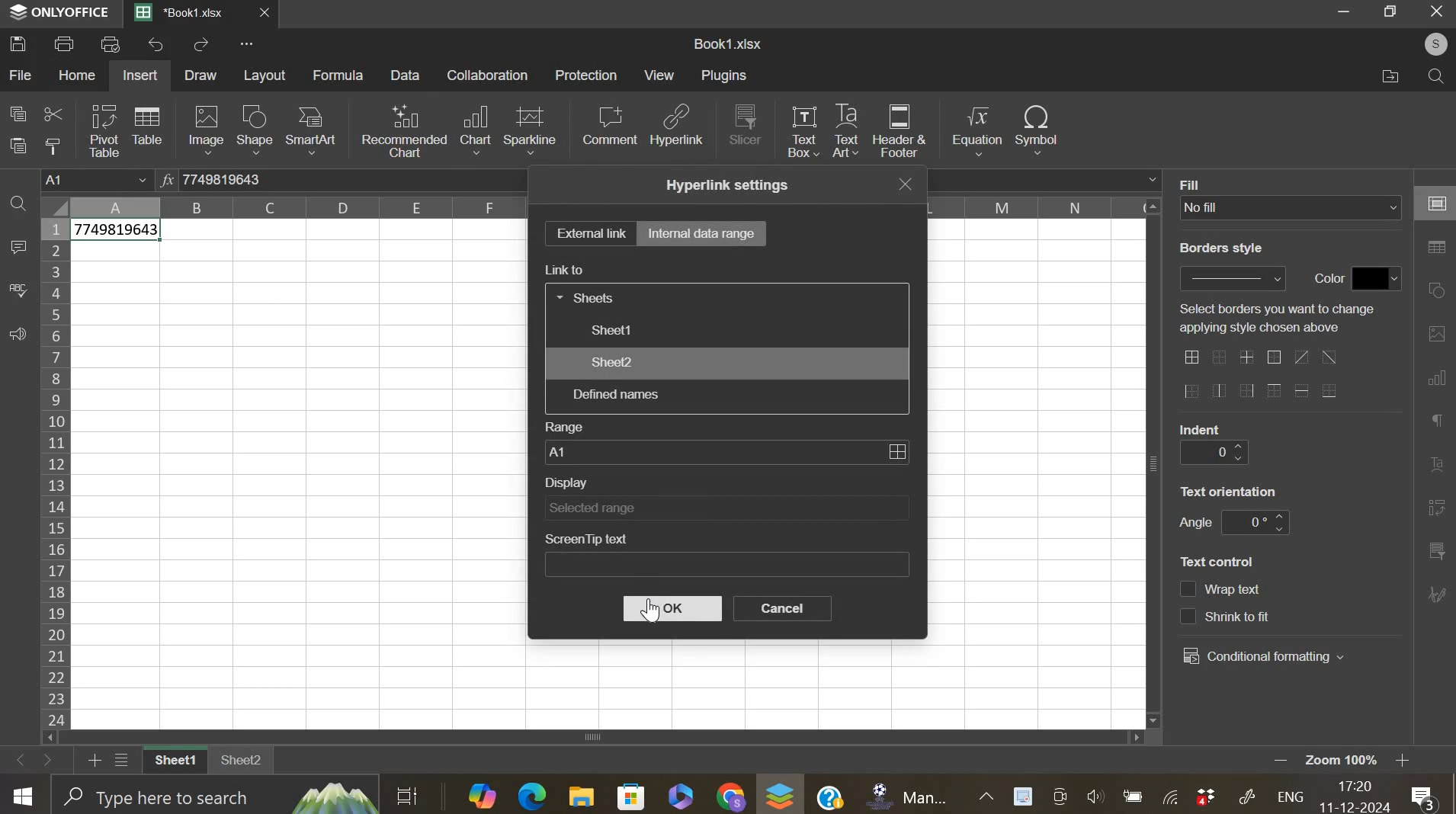  What do you see at coordinates (18, 113) in the screenshot?
I see `copy` at bounding box center [18, 113].